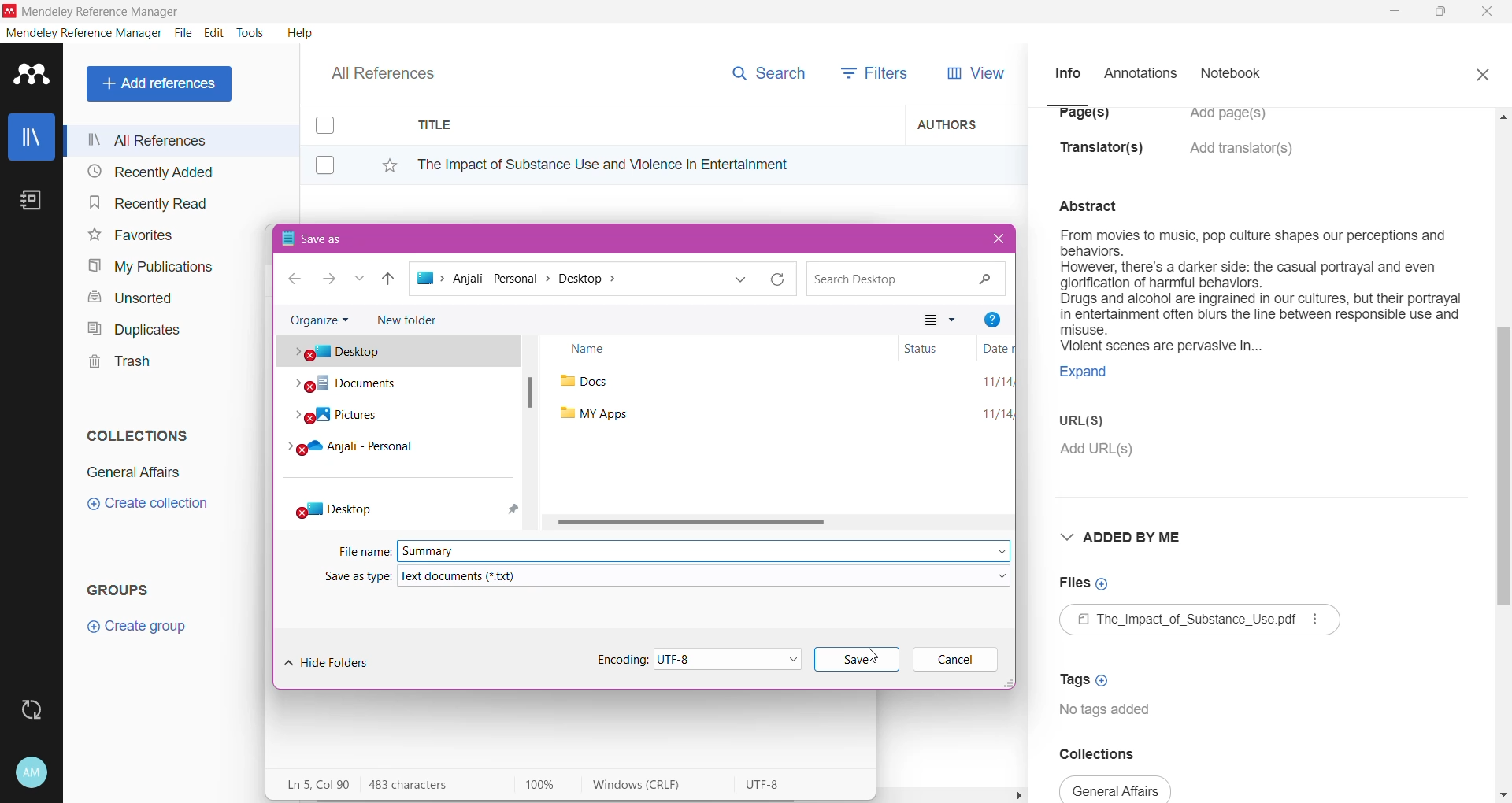  Describe the element at coordinates (857, 660) in the screenshot. I see `Click to Save File` at that location.